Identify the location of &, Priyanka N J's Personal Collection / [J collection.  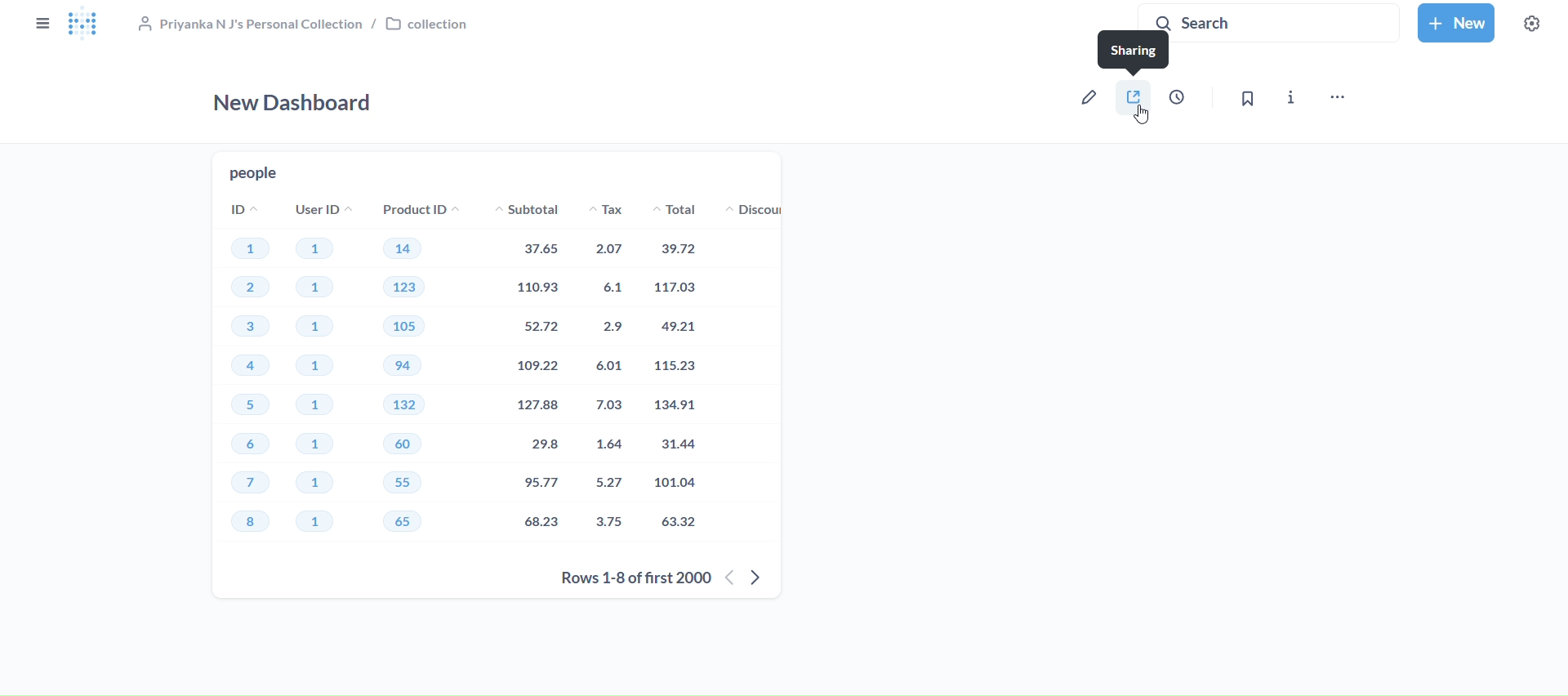
(309, 24).